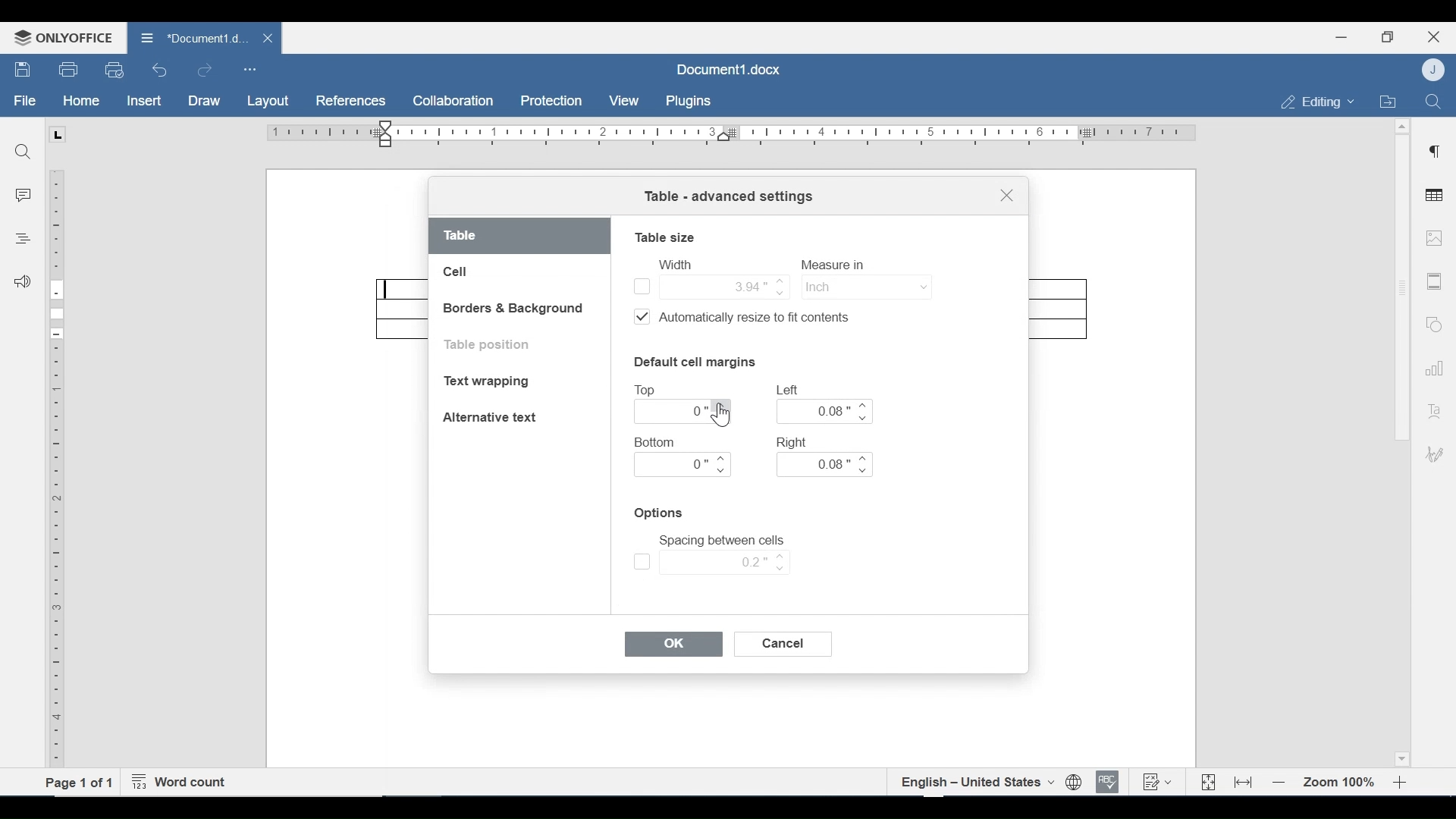 This screenshot has width=1456, height=819. Describe the element at coordinates (864, 286) in the screenshot. I see `Inch` at that location.